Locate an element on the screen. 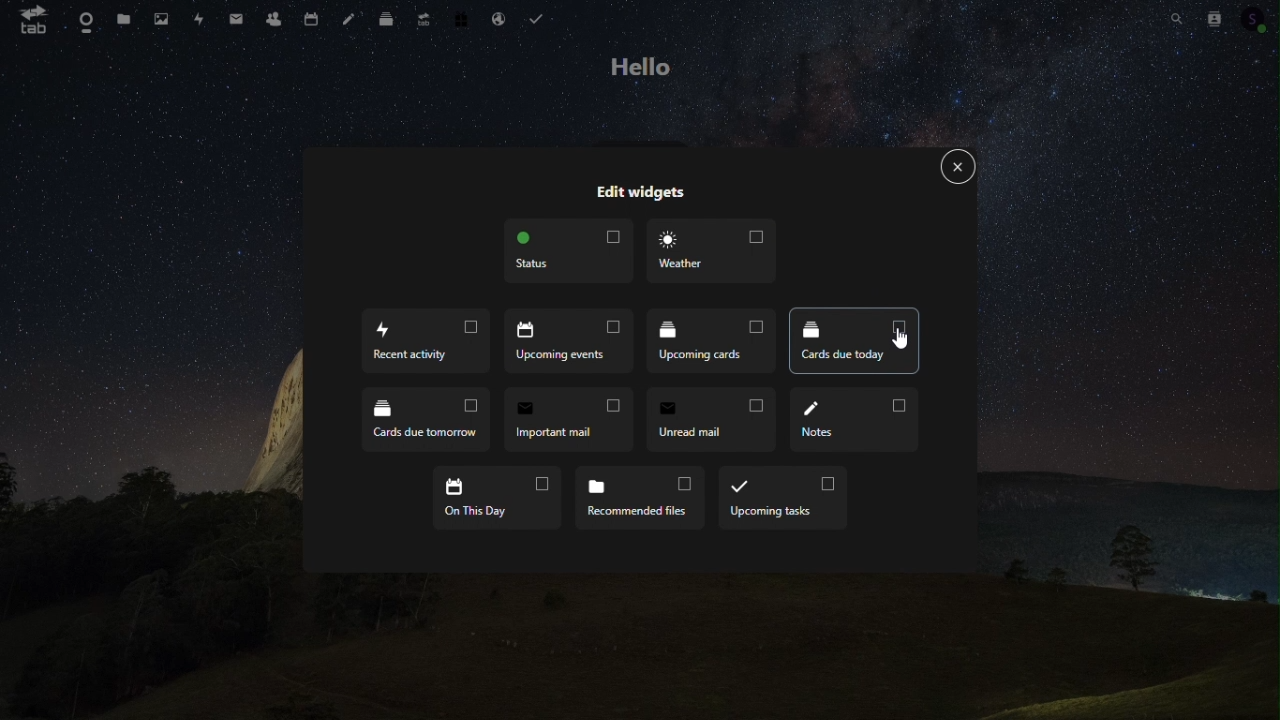 The width and height of the screenshot is (1280, 720). Account icon is located at coordinates (1260, 20).